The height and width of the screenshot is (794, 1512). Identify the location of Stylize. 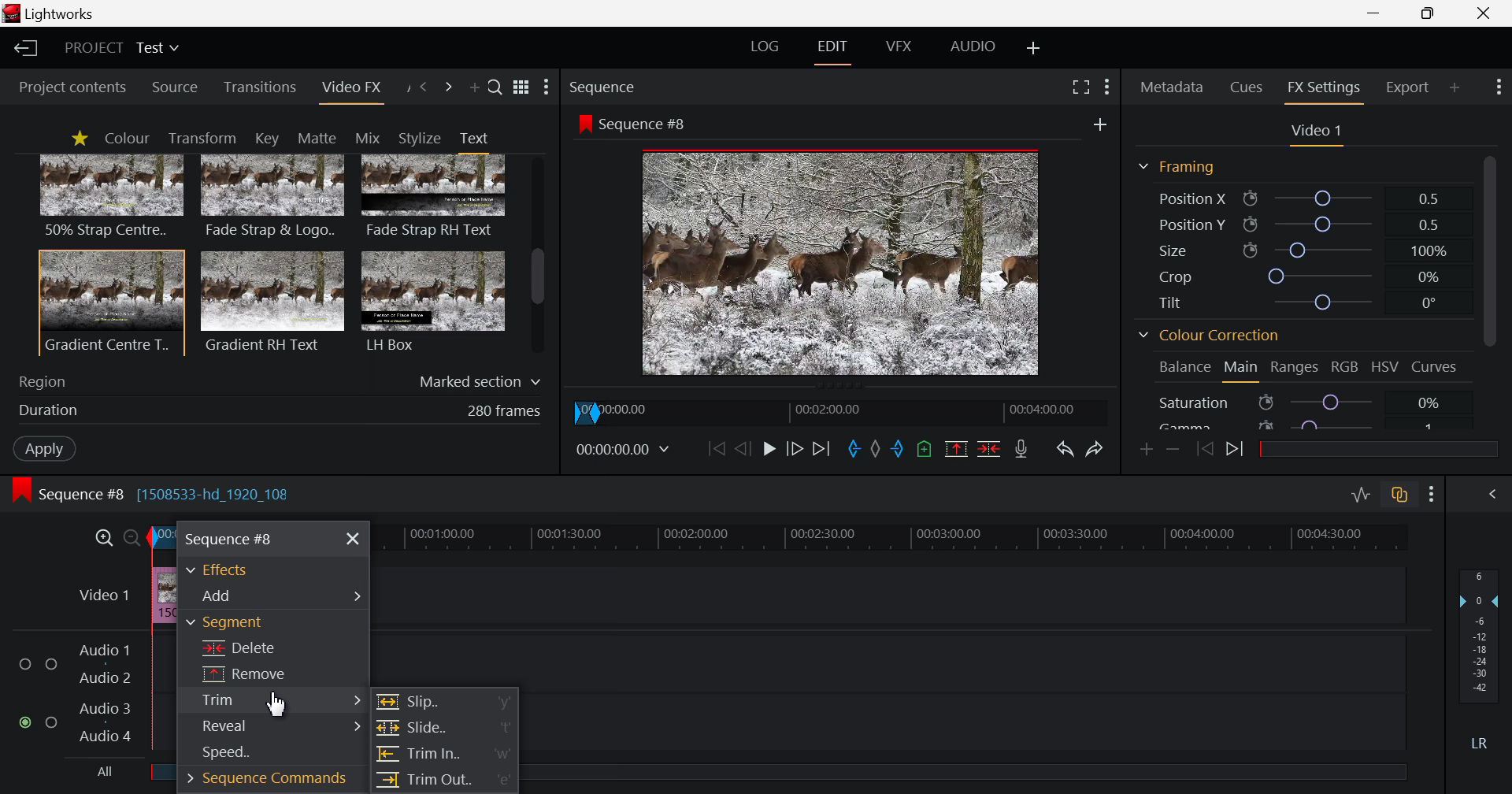
(420, 138).